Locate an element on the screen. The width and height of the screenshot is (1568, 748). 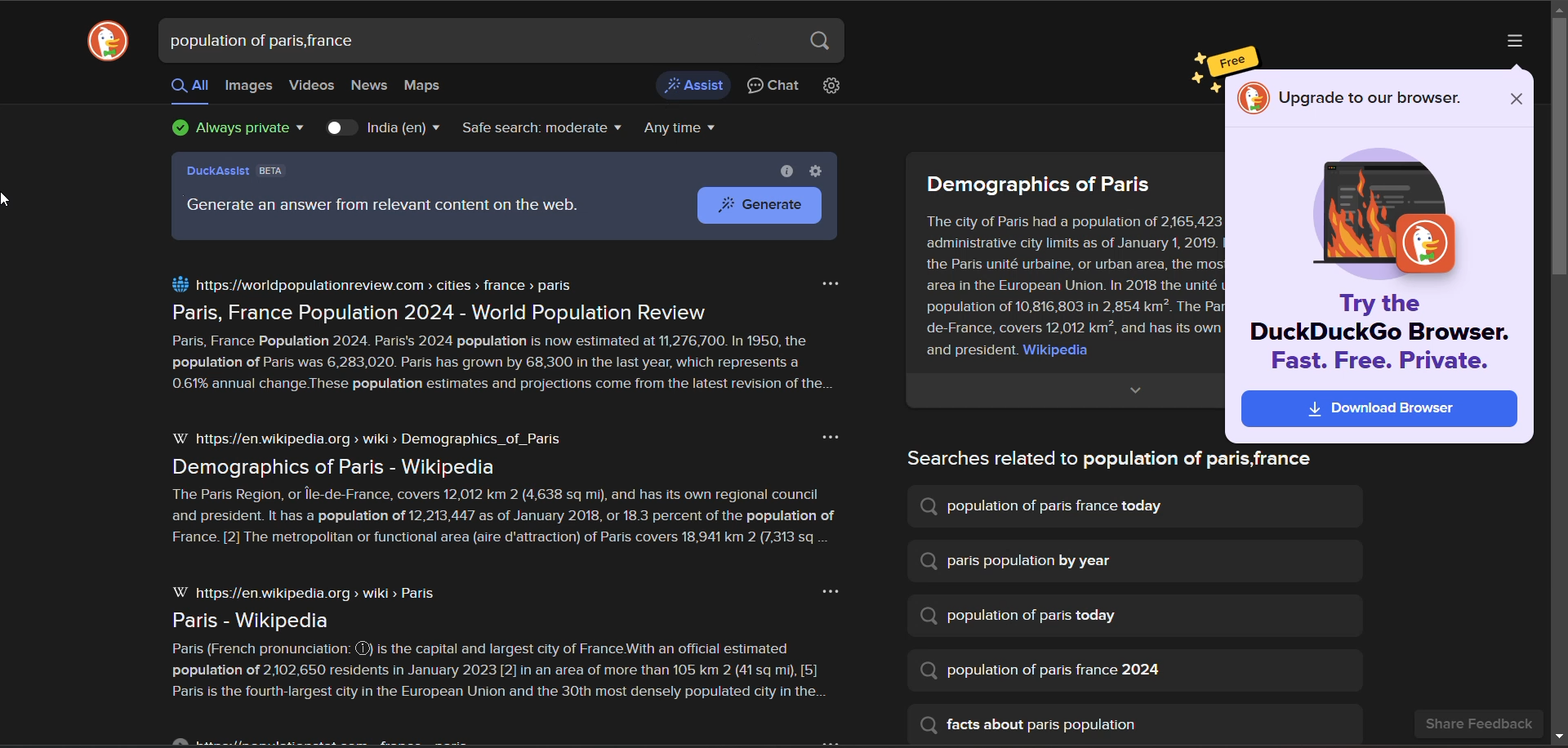
population of paris france today is located at coordinates (1043, 506).